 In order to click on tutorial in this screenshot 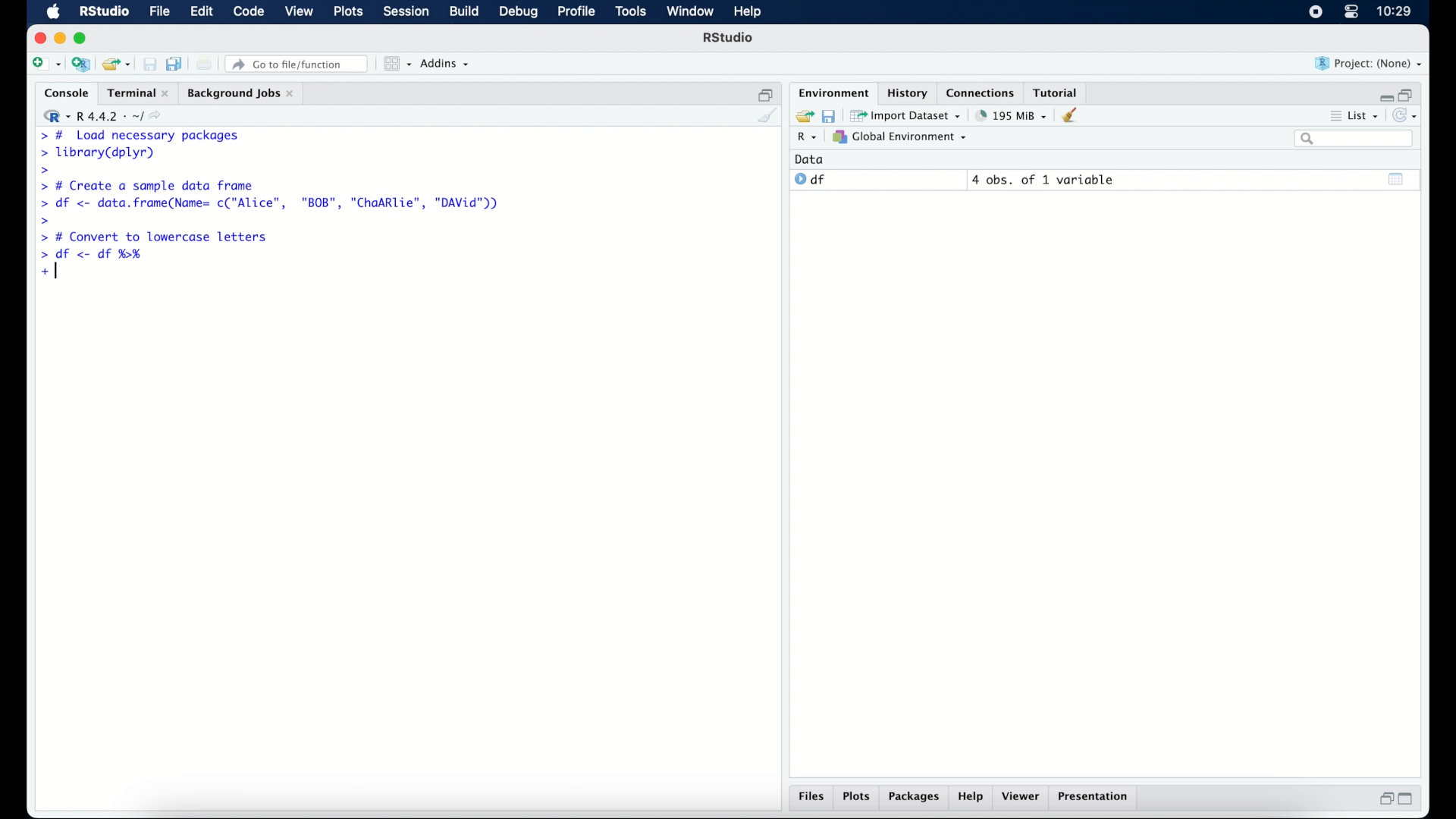, I will do `click(1059, 92)`.